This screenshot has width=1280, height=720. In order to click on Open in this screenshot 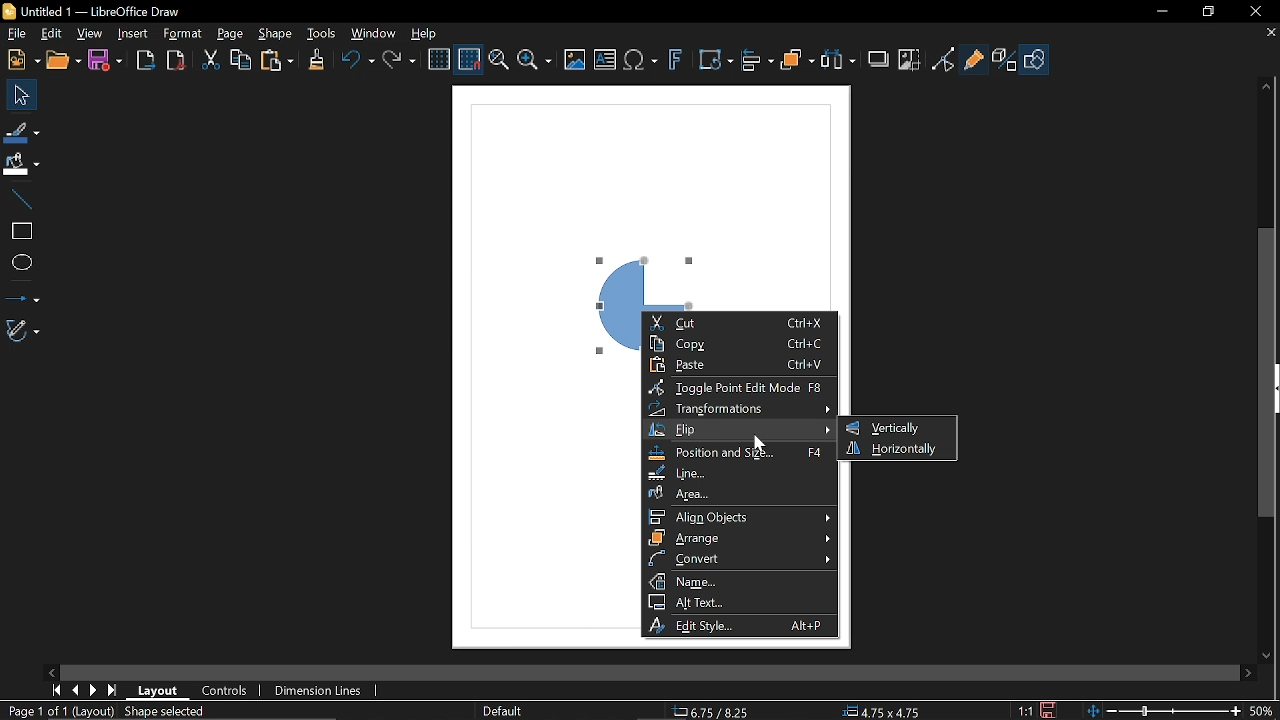, I will do `click(64, 61)`.